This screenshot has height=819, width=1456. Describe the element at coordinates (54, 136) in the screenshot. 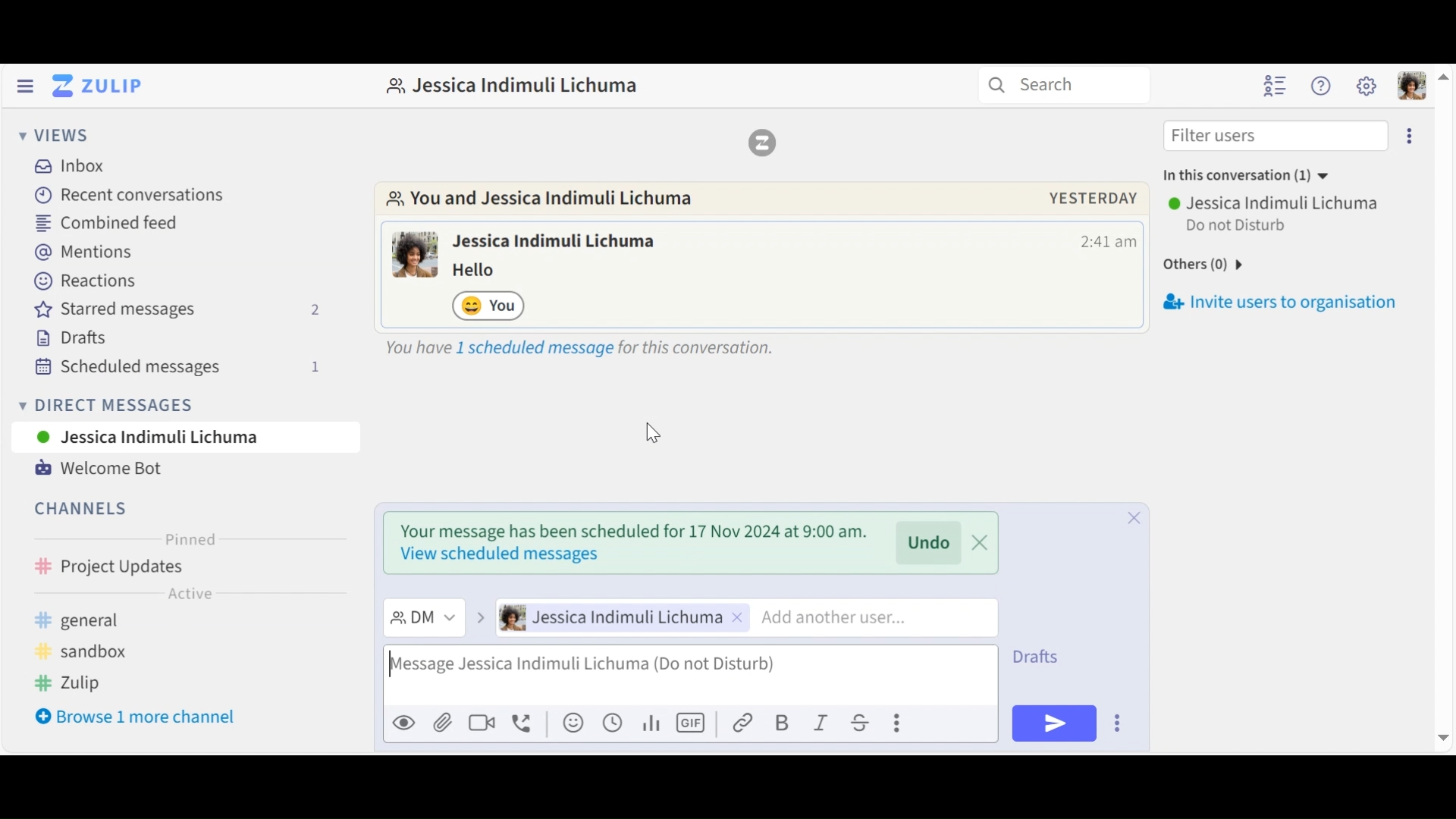

I see `Views` at that location.